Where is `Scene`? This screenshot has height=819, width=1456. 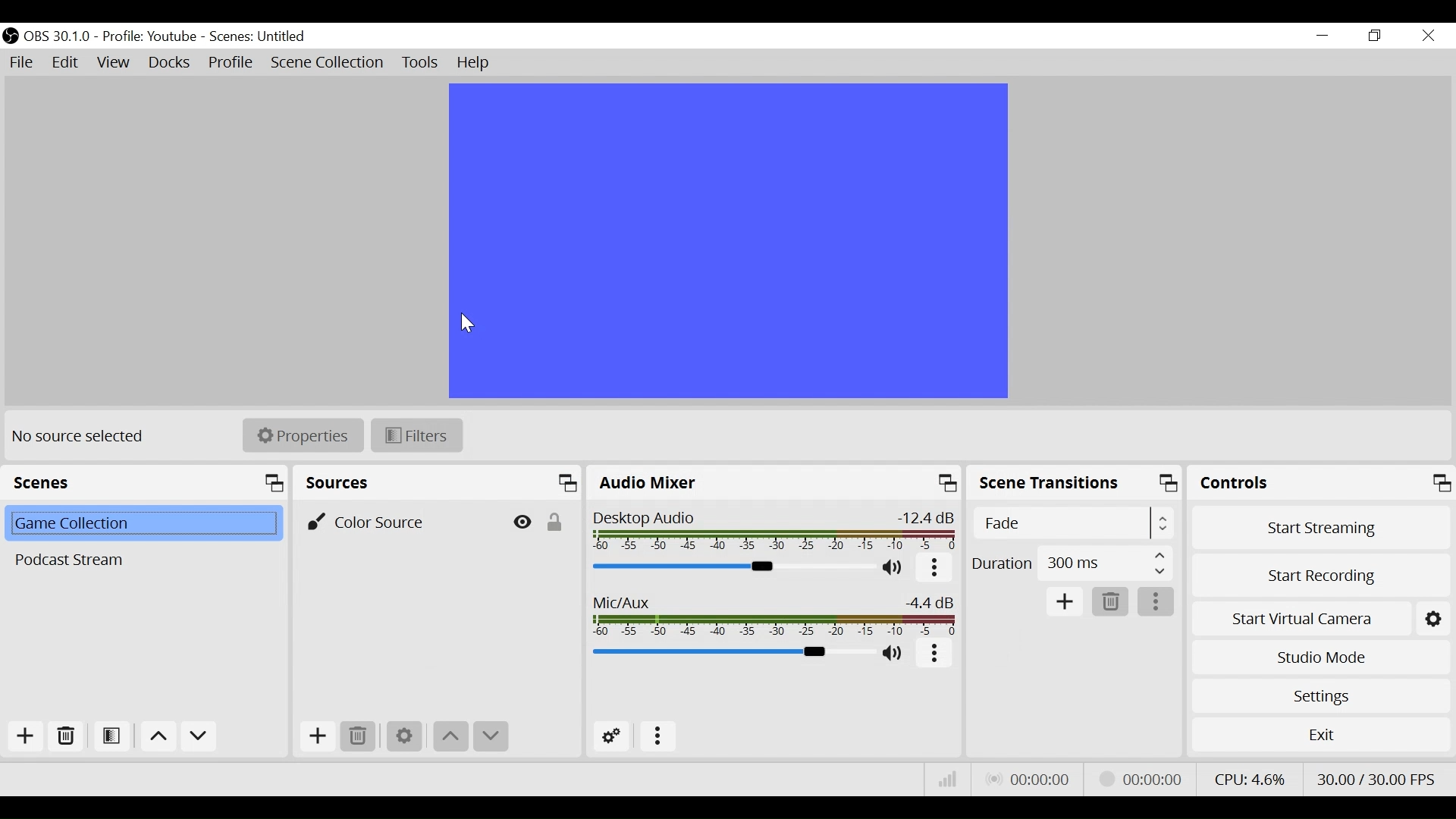
Scene is located at coordinates (140, 560).